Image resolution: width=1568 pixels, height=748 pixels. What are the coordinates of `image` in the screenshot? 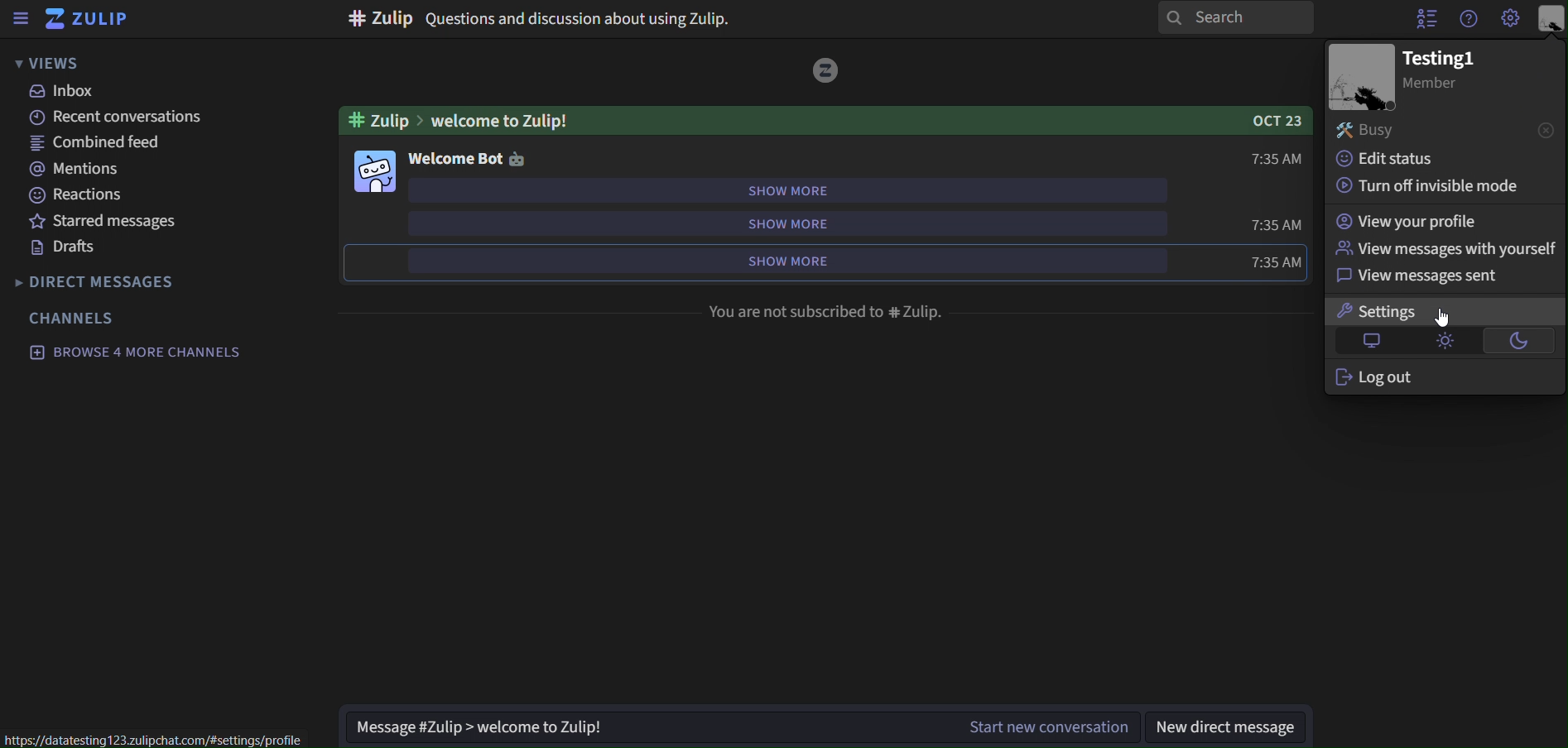 It's located at (1361, 77).